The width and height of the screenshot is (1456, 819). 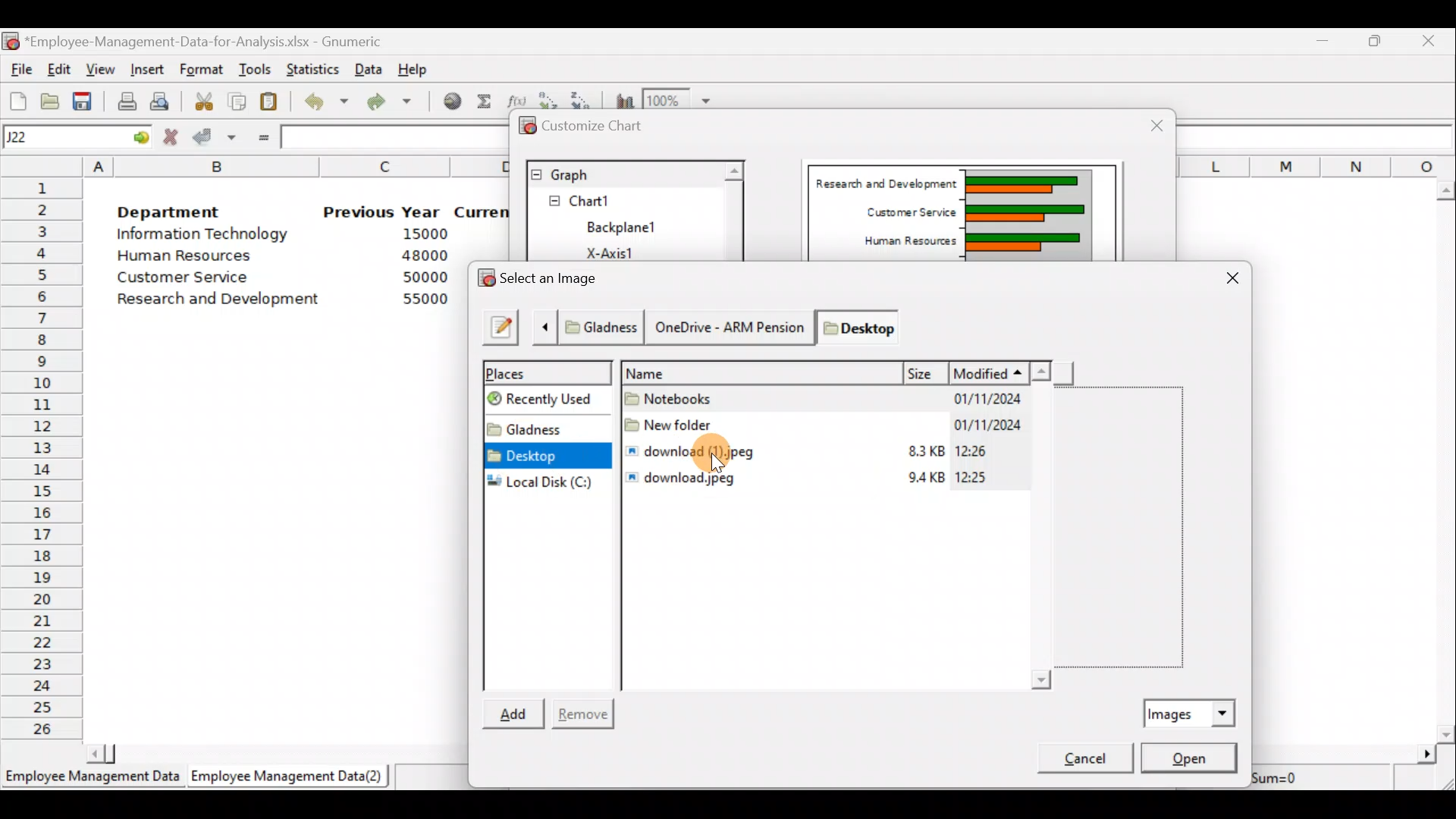 I want to click on BackPlane1, so click(x=631, y=225).